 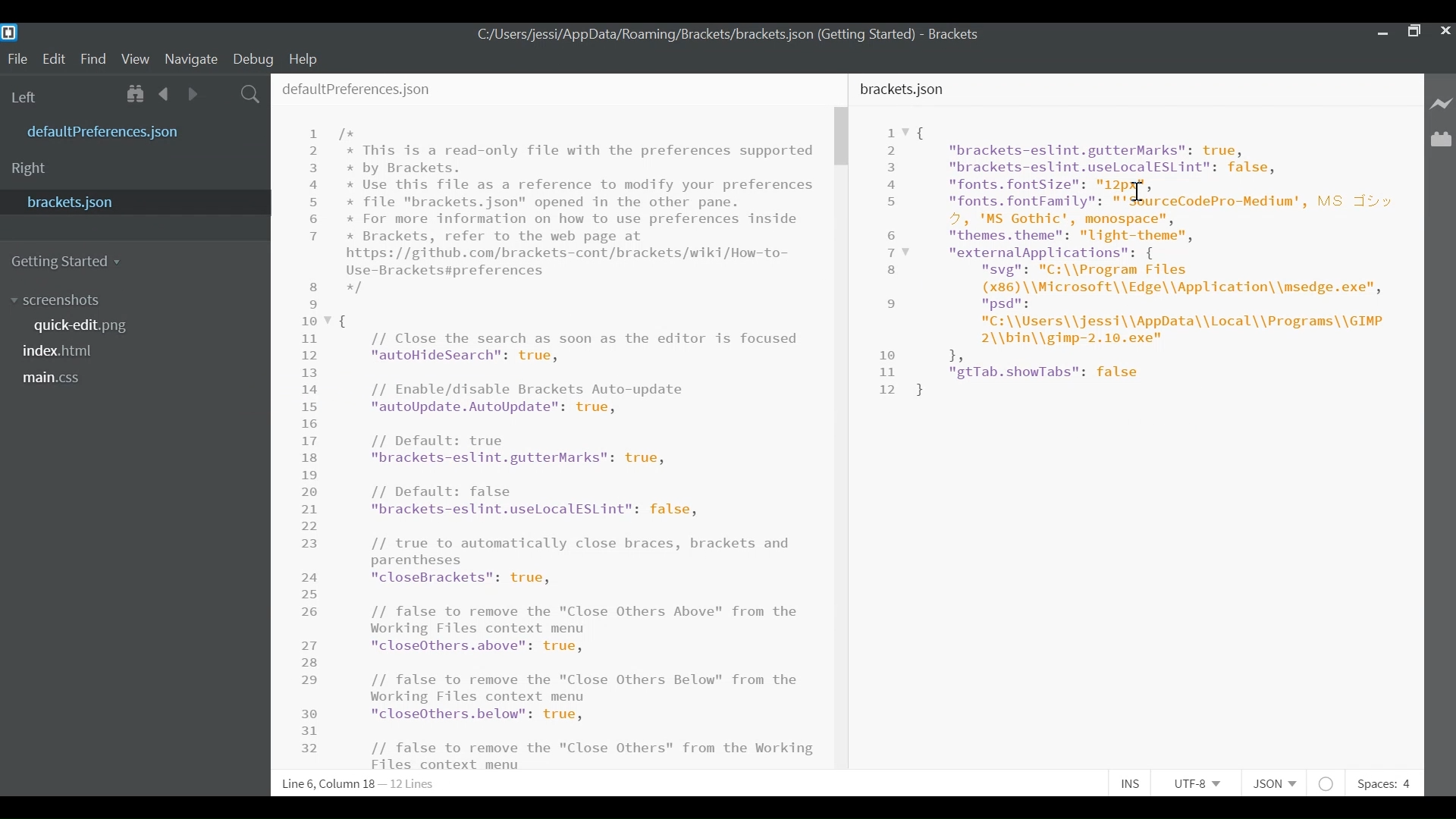 I want to click on Navigate Back, so click(x=165, y=93).